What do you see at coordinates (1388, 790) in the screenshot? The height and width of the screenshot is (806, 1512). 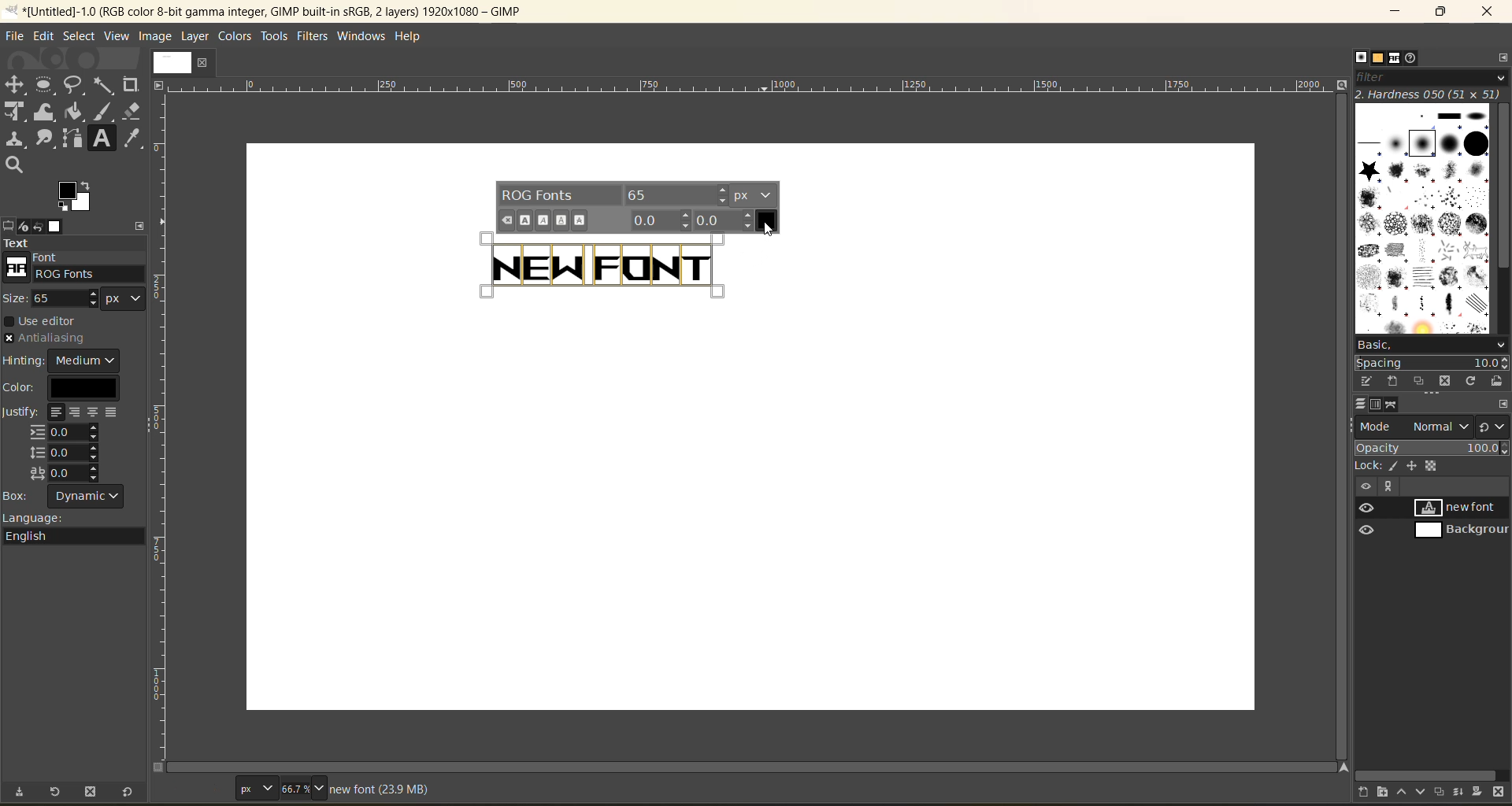 I see `create a new layer group` at bounding box center [1388, 790].